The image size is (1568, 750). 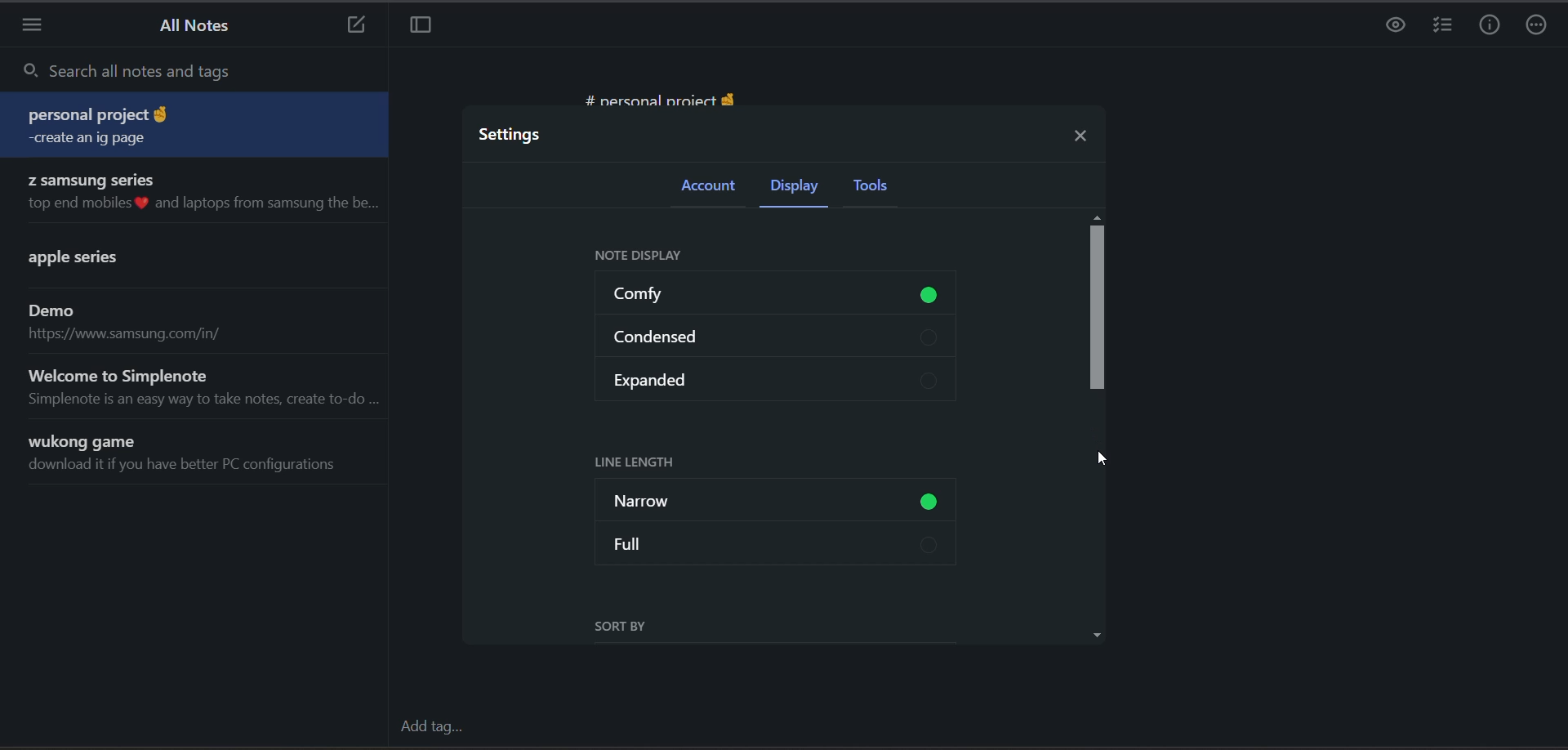 I want to click on note title and preview, so click(x=199, y=193).